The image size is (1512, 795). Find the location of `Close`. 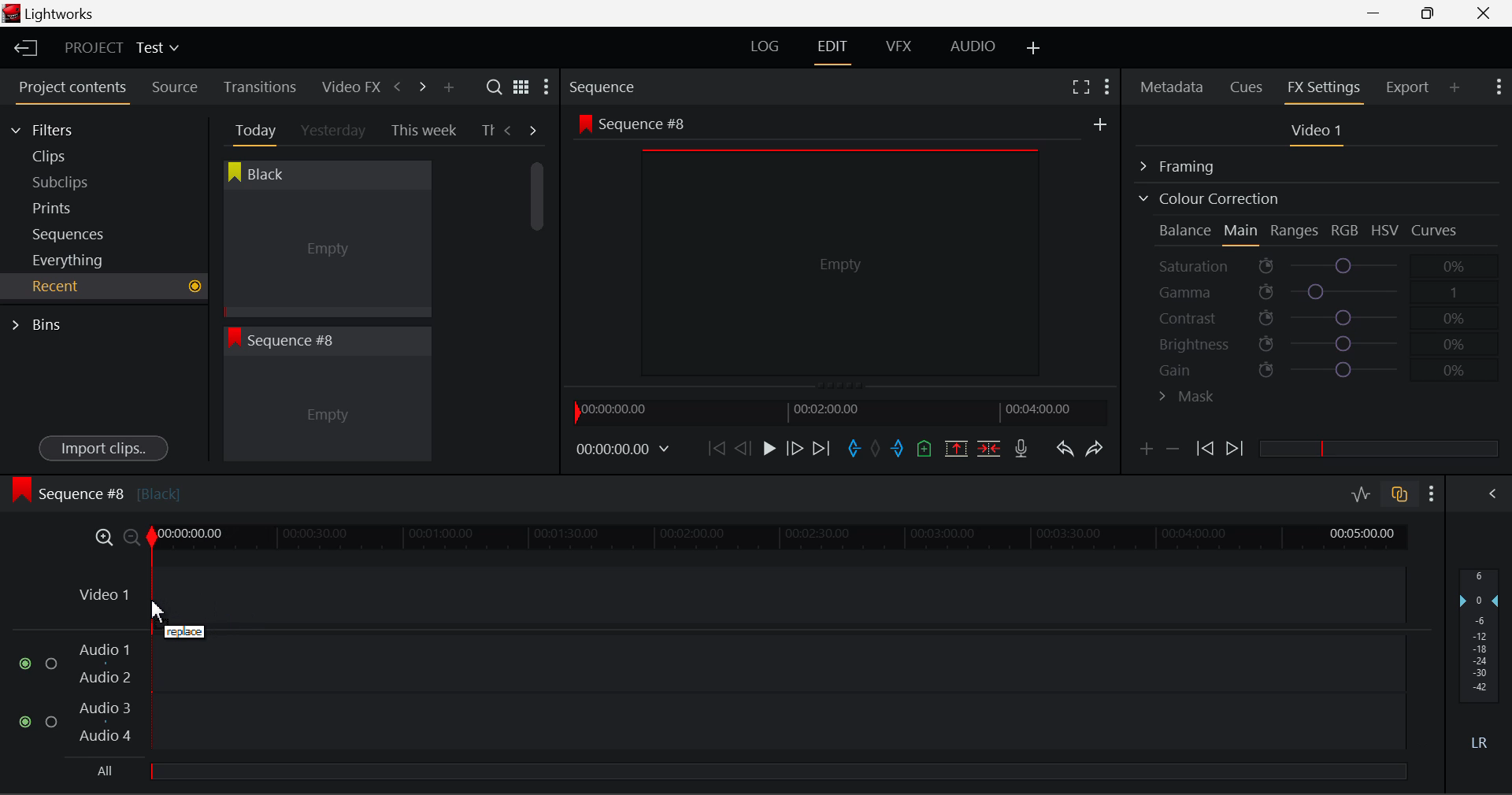

Close is located at coordinates (1487, 13).